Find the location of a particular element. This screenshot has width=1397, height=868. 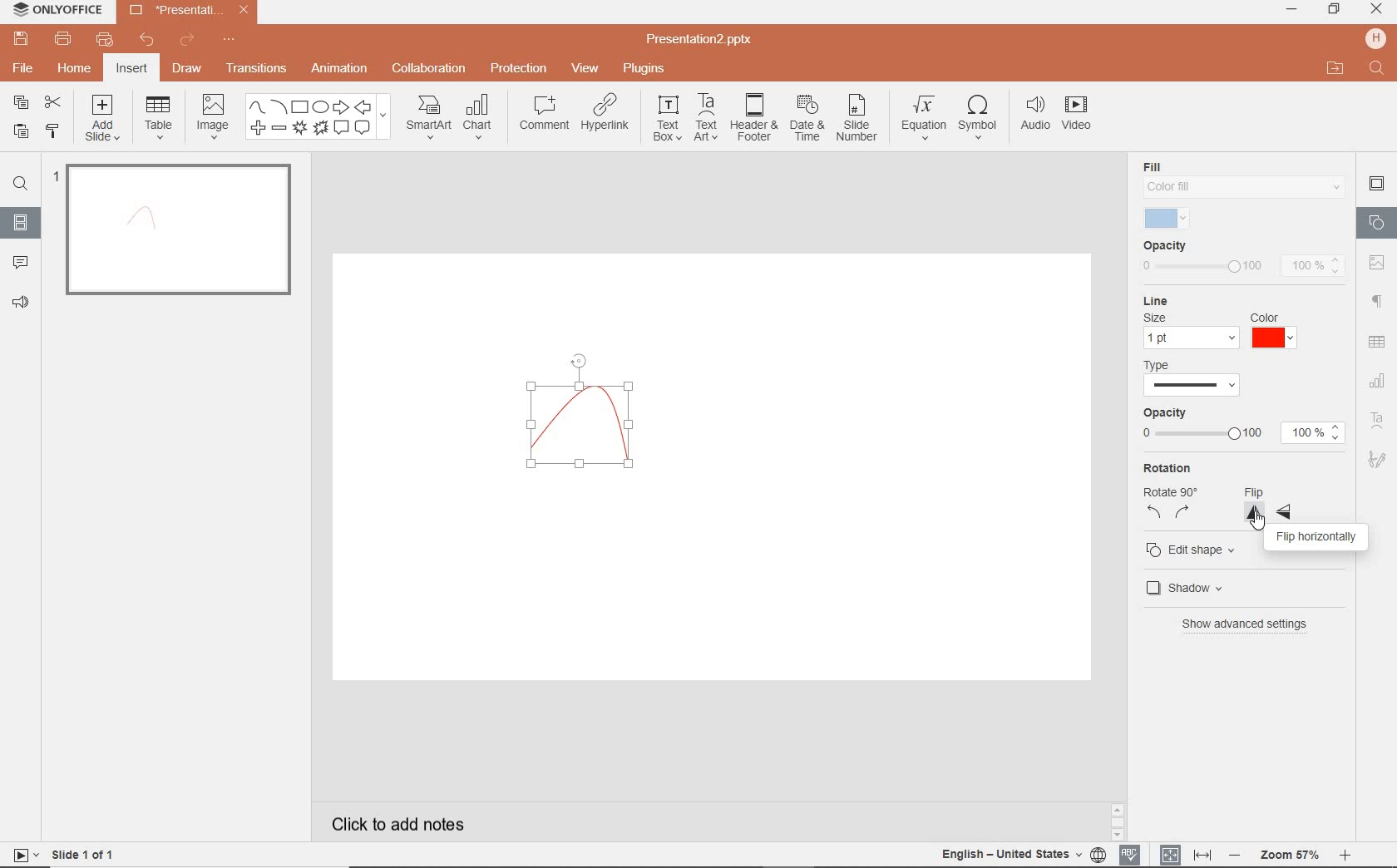

TEXT ART SETTINGS is located at coordinates (1379, 421).